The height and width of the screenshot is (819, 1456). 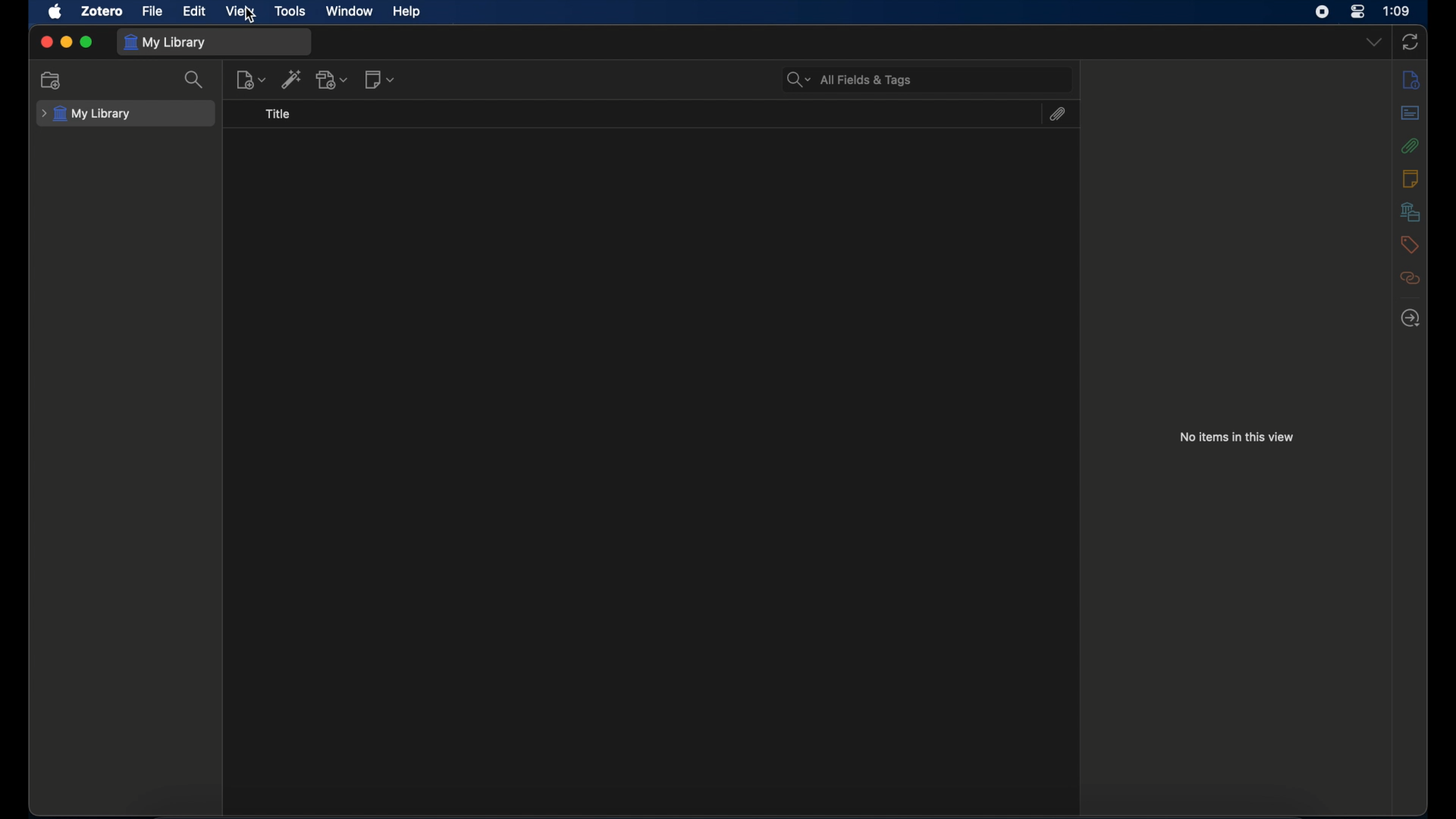 What do you see at coordinates (194, 80) in the screenshot?
I see `search` at bounding box center [194, 80].